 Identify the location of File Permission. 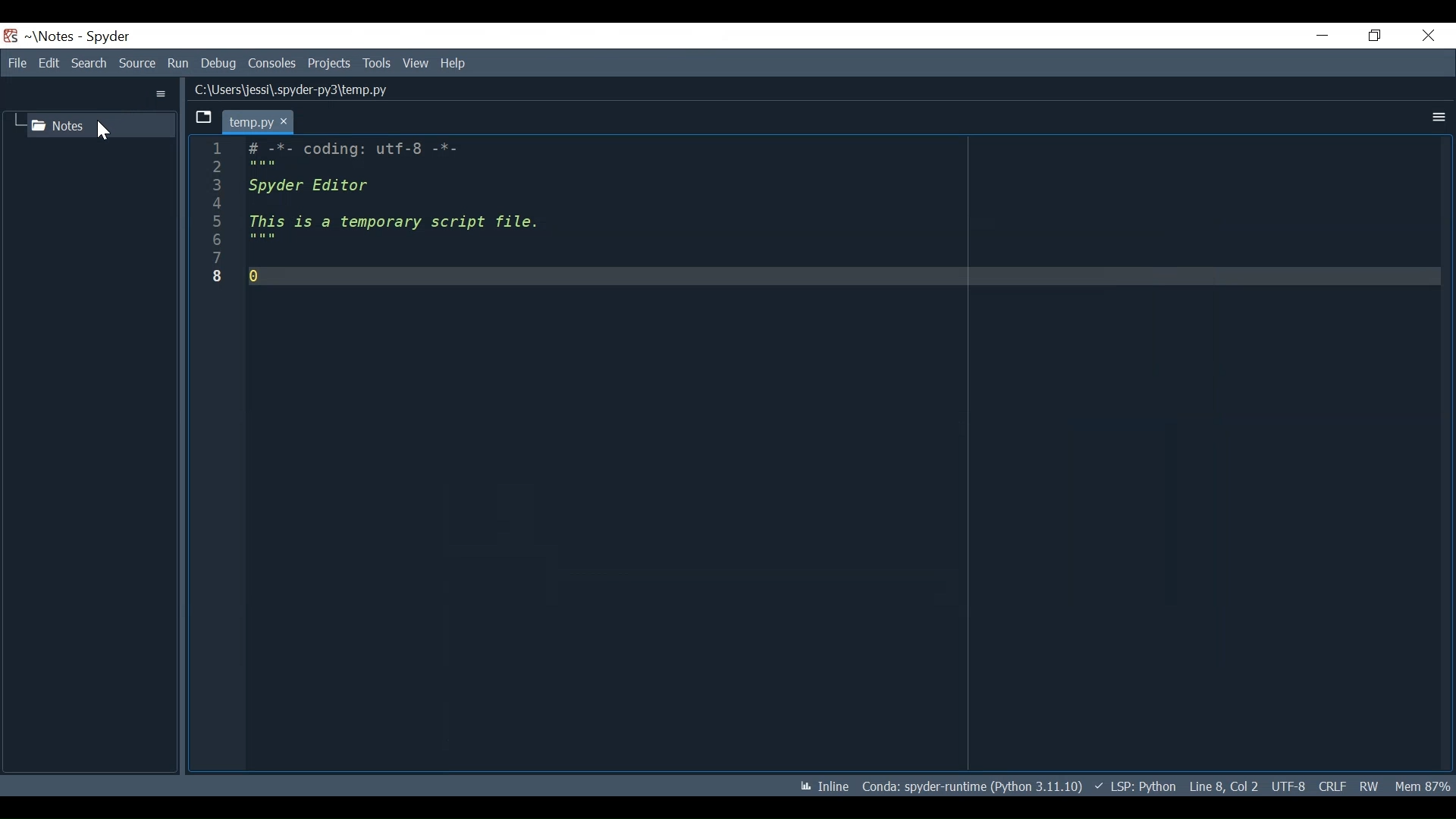
(1369, 785).